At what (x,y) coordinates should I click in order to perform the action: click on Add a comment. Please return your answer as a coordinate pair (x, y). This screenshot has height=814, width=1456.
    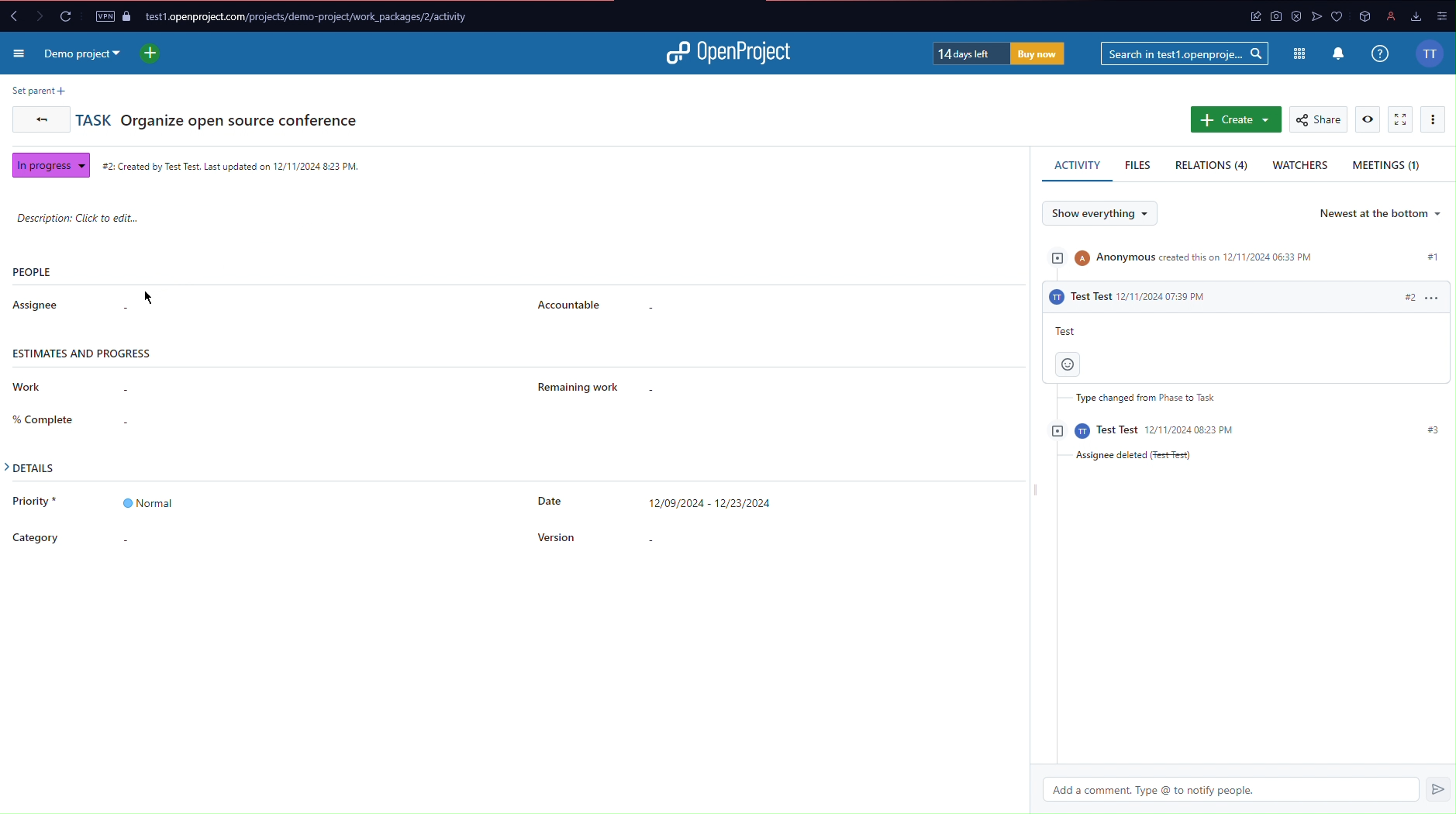
    Looking at the image, I should click on (1252, 789).